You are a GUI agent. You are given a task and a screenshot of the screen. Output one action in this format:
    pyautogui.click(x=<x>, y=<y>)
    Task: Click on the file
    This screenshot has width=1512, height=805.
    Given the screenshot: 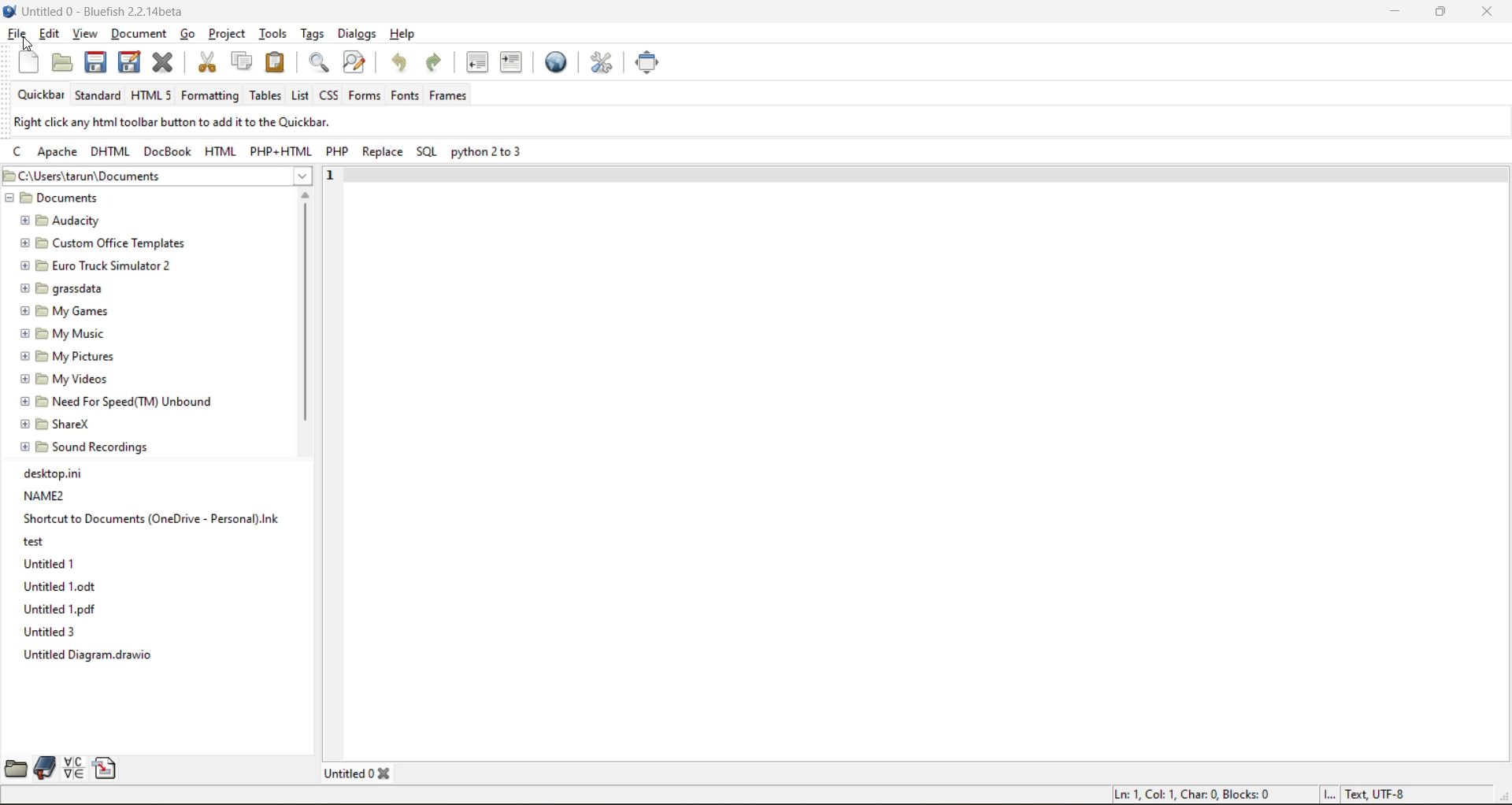 What is the action you would take?
    pyautogui.click(x=20, y=37)
    